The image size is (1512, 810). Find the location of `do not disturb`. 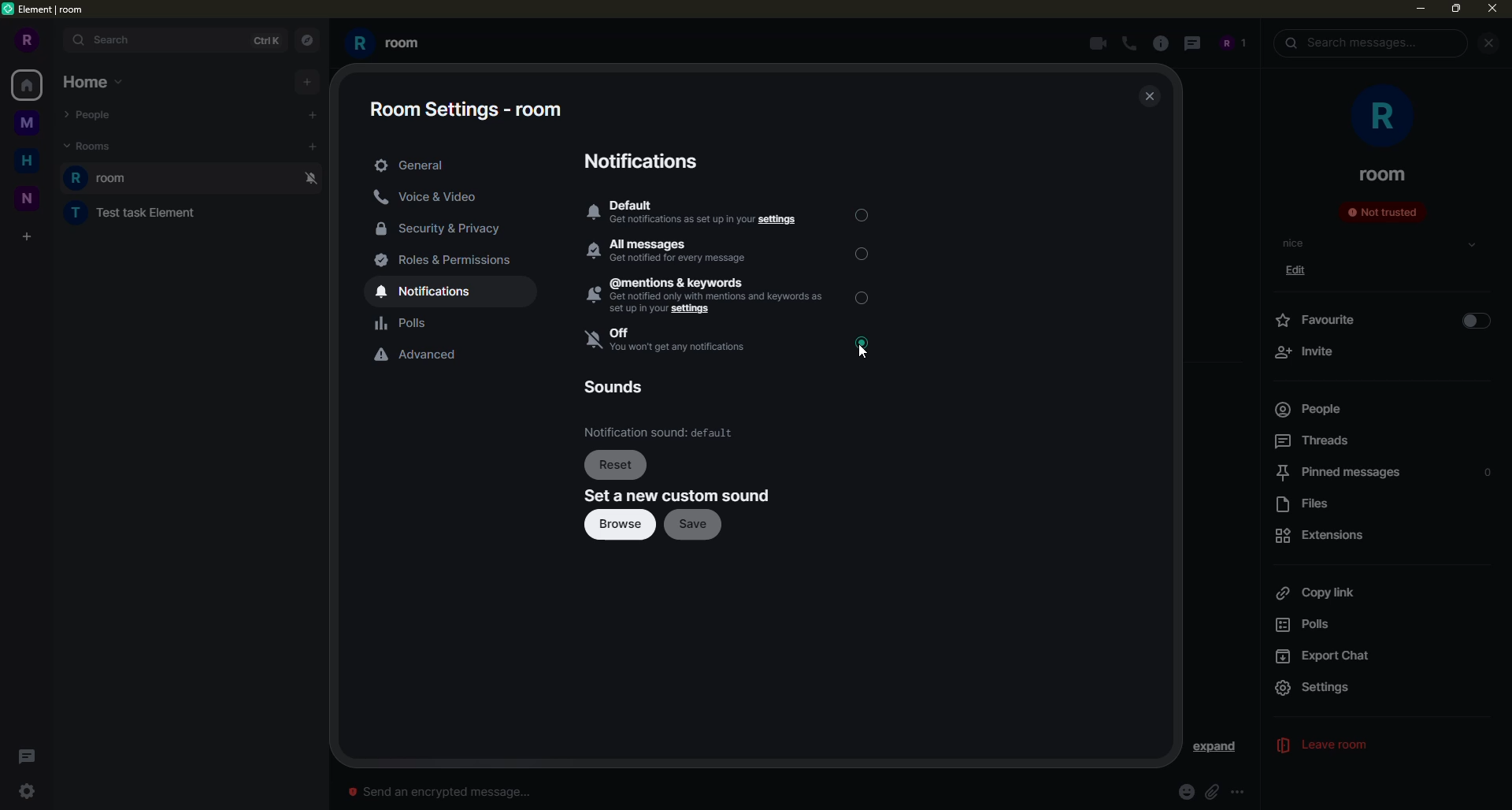

do not disturb is located at coordinates (309, 178).